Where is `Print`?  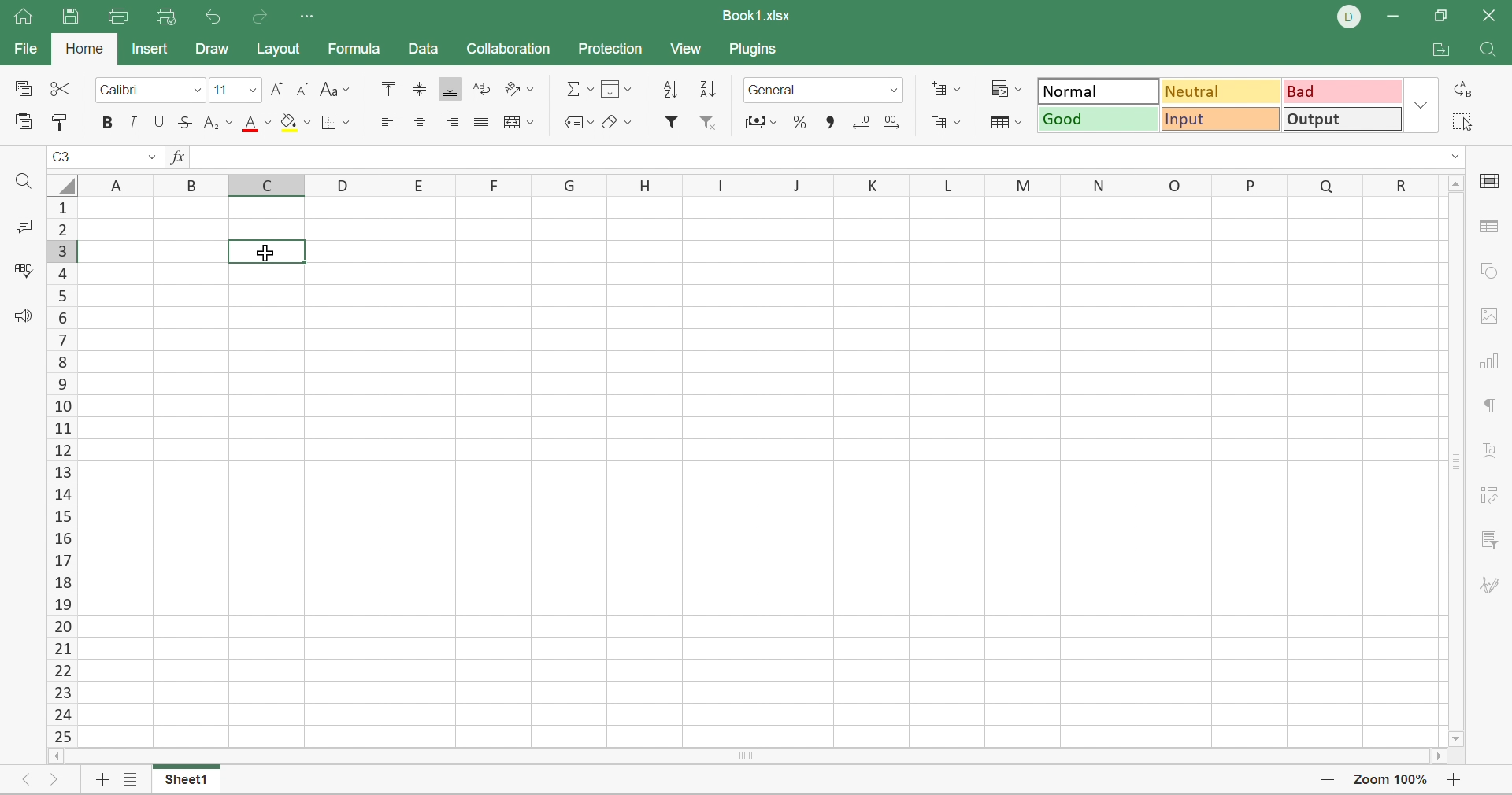
Print is located at coordinates (120, 17).